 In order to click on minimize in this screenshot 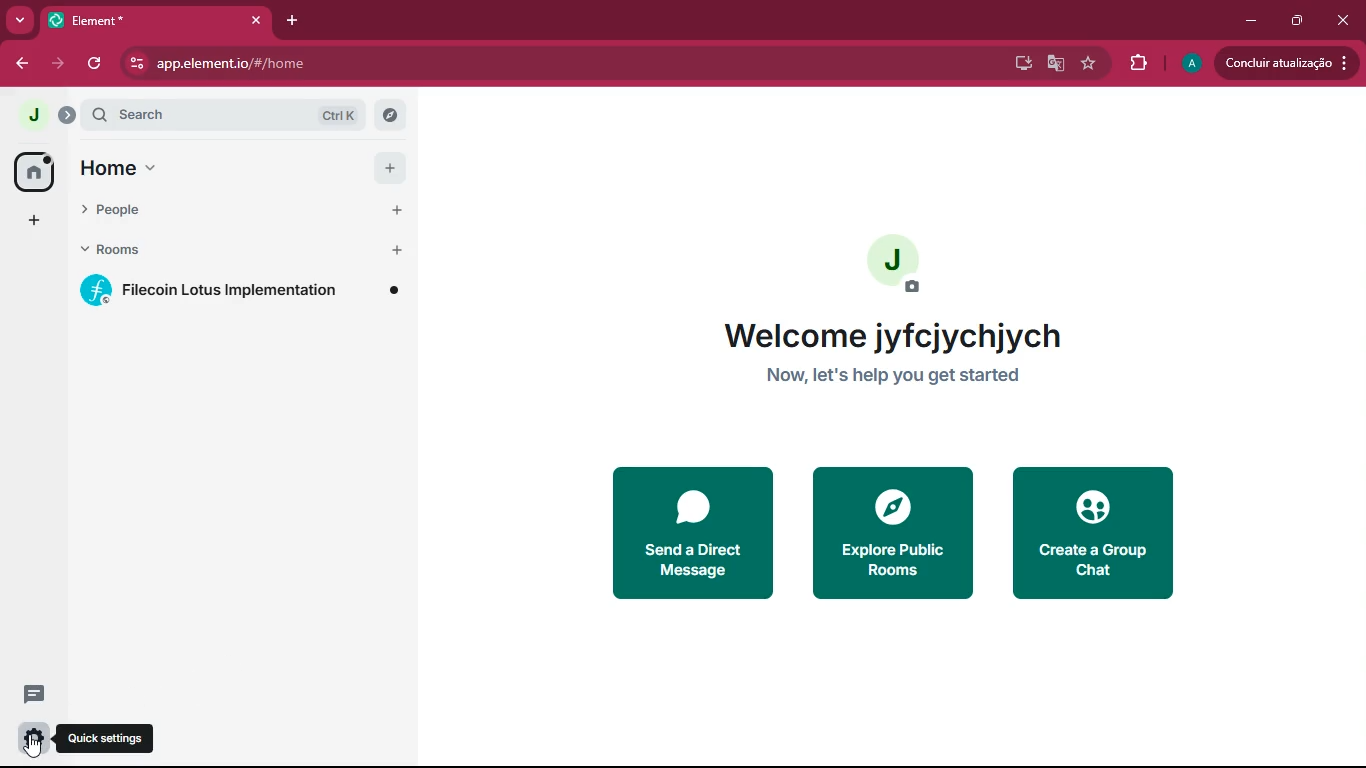, I will do `click(1252, 20)`.